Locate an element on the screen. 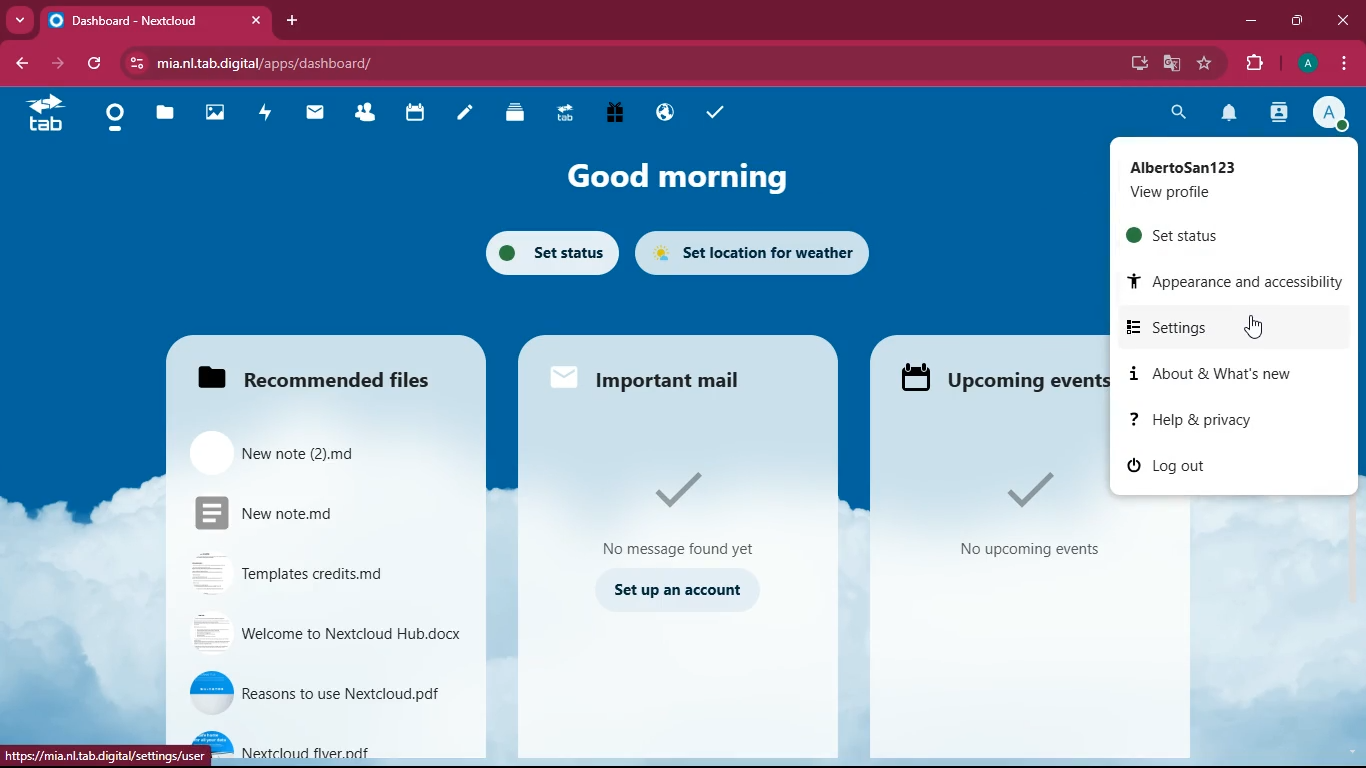  View site information is located at coordinates (137, 63).